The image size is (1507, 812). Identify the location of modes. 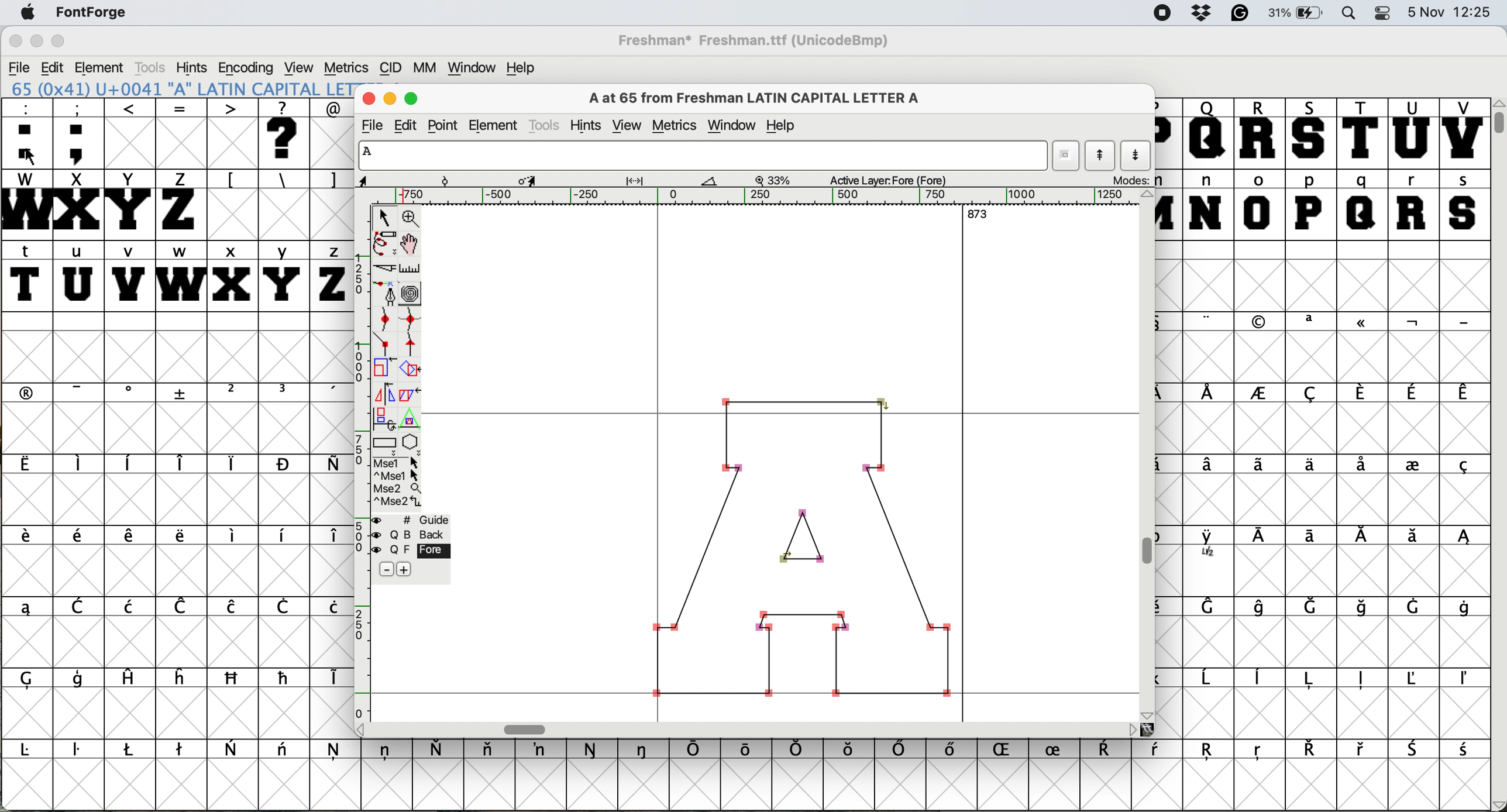
(1125, 180).